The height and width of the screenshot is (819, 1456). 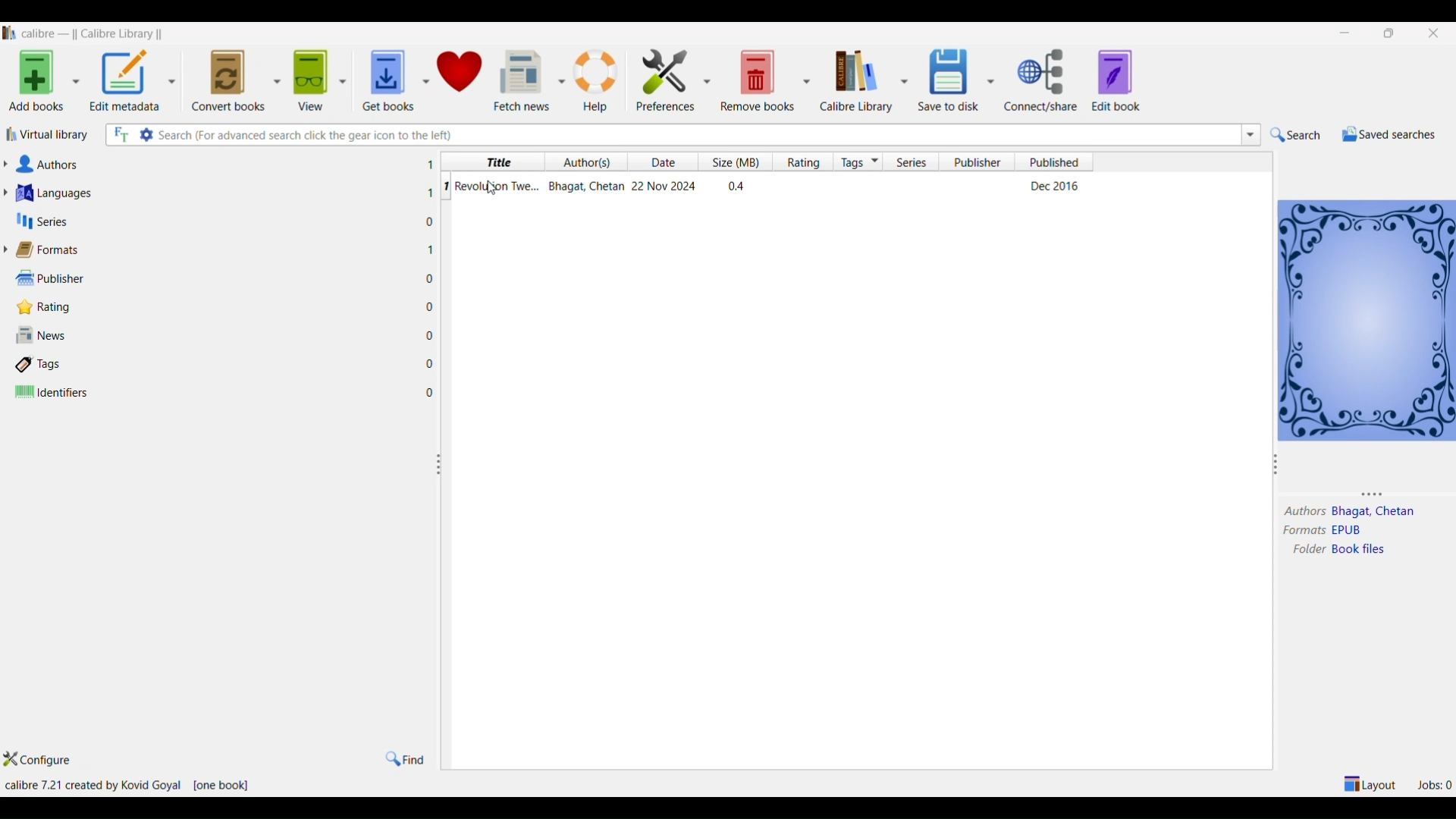 I want to click on publisher, so click(x=979, y=162).